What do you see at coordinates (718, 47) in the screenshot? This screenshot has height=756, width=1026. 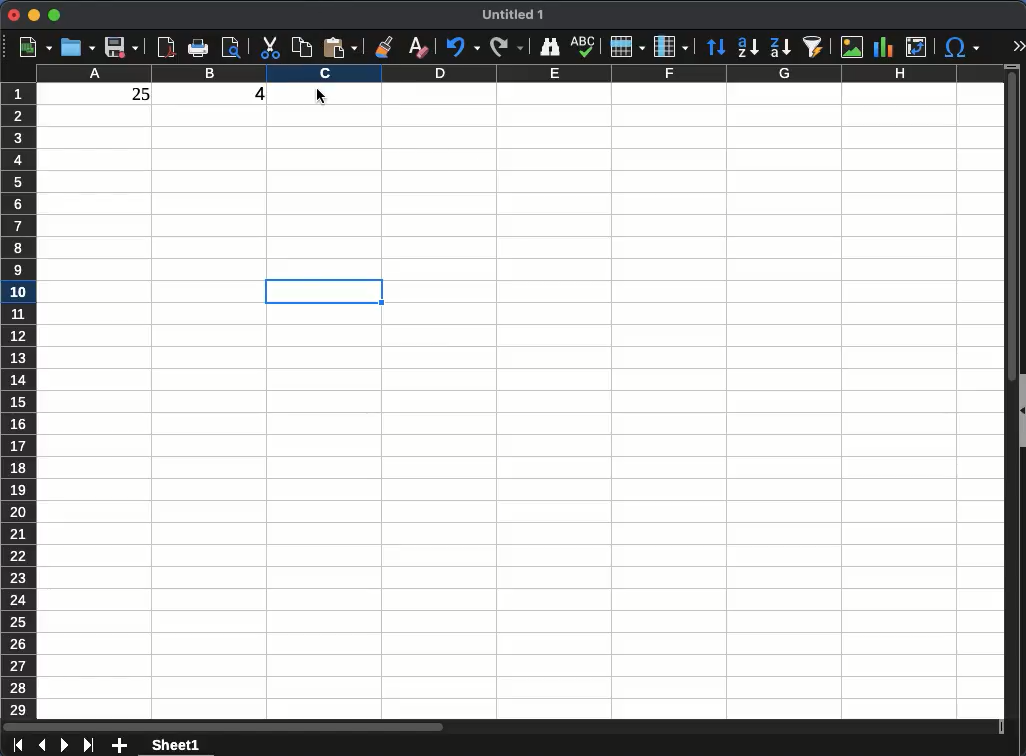 I see `sort` at bounding box center [718, 47].